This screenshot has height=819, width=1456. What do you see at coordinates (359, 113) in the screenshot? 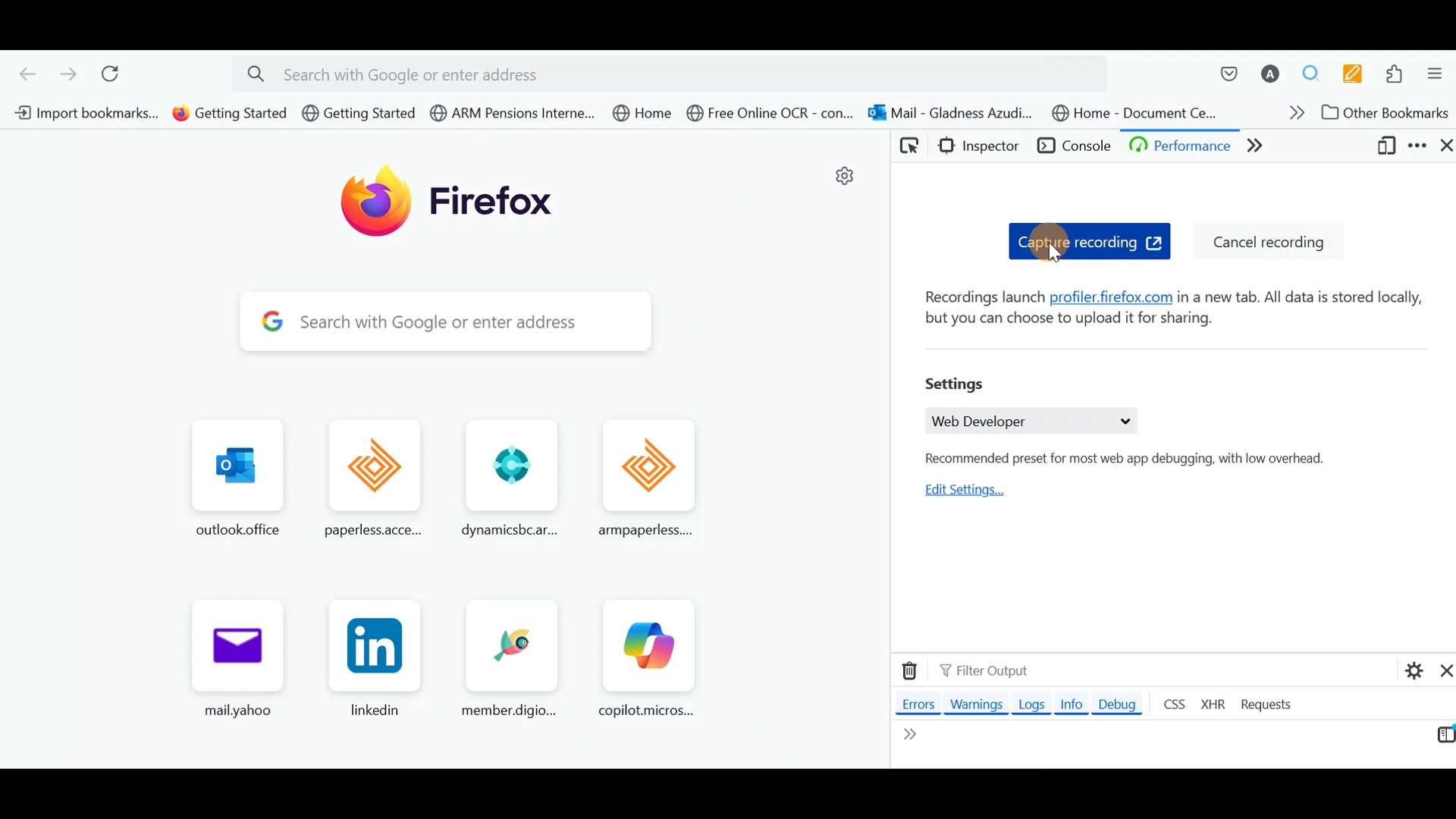
I see `Bookmark 3` at bounding box center [359, 113].